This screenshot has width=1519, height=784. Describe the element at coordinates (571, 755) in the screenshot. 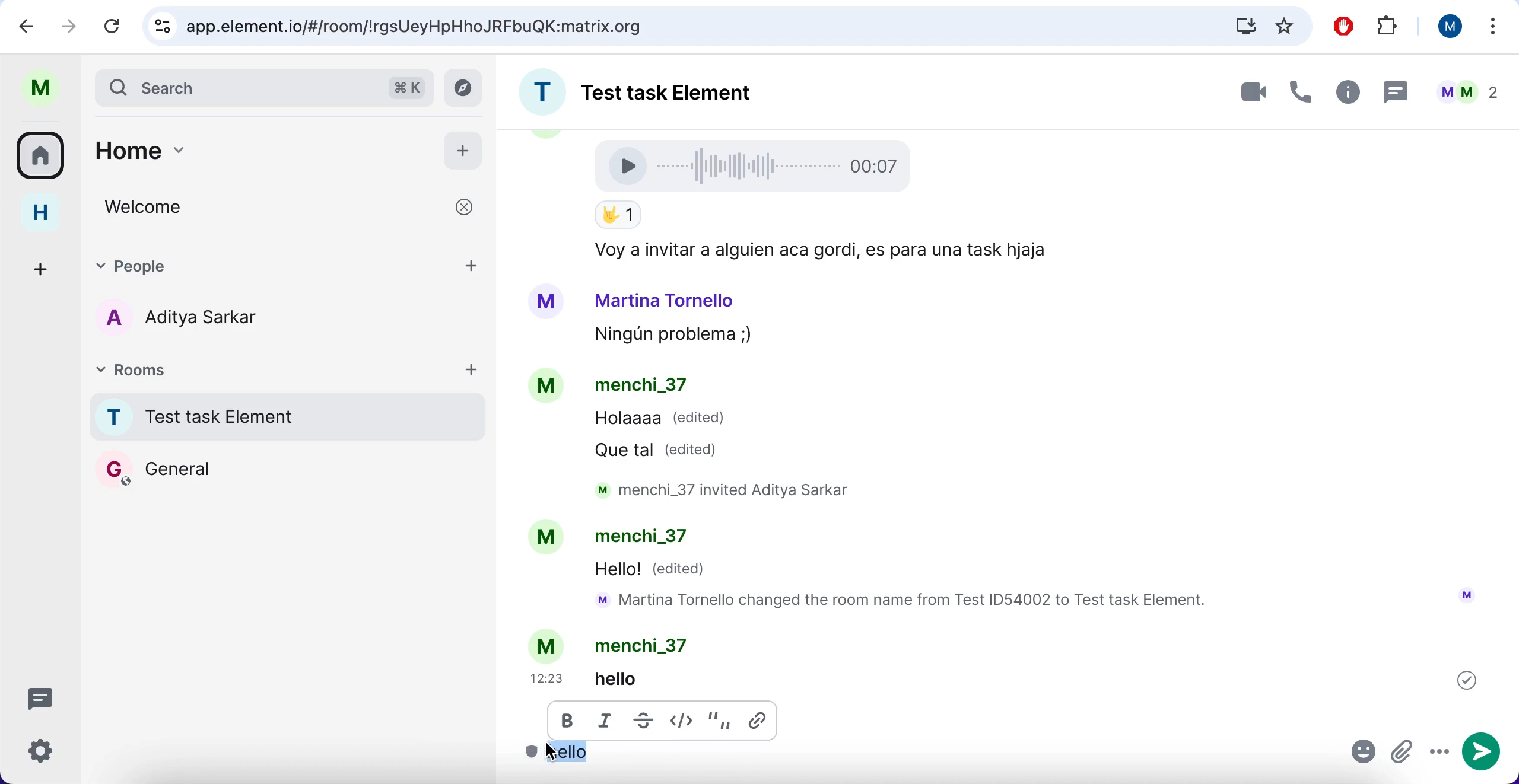

I see `typed message selected` at that location.